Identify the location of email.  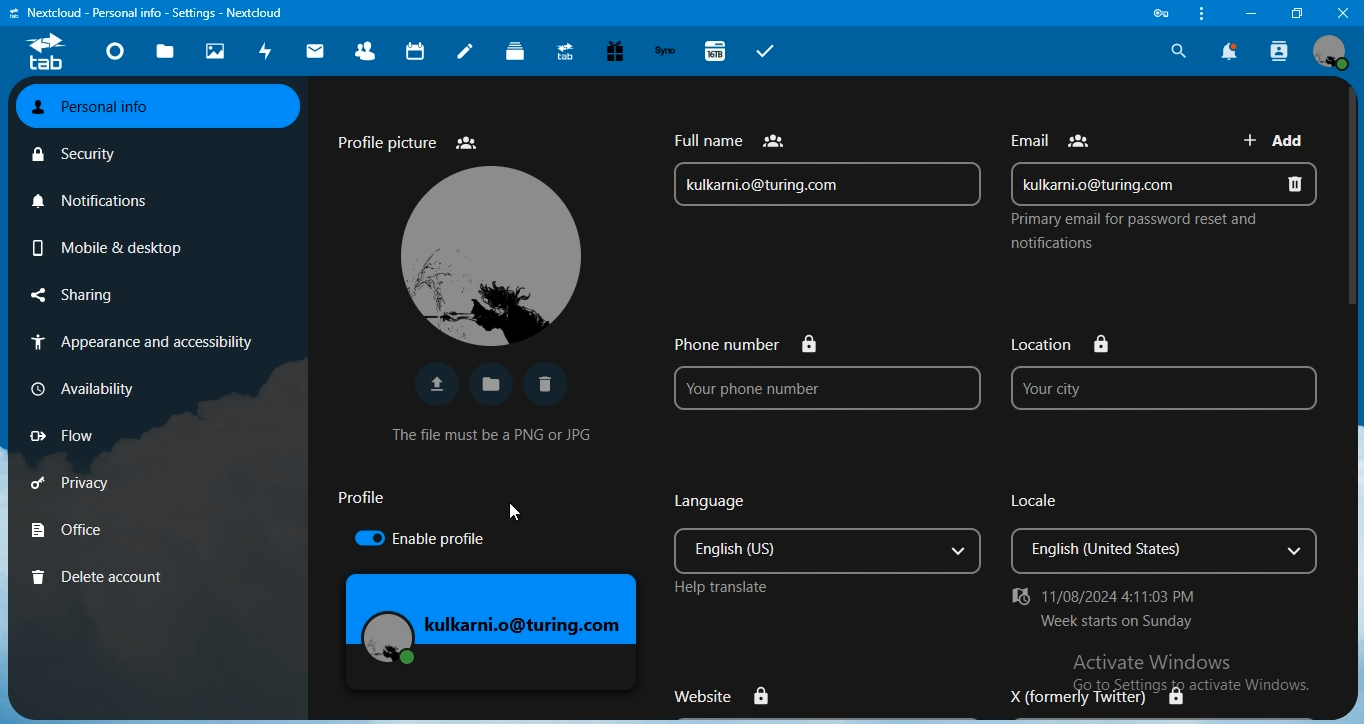
(1165, 181).